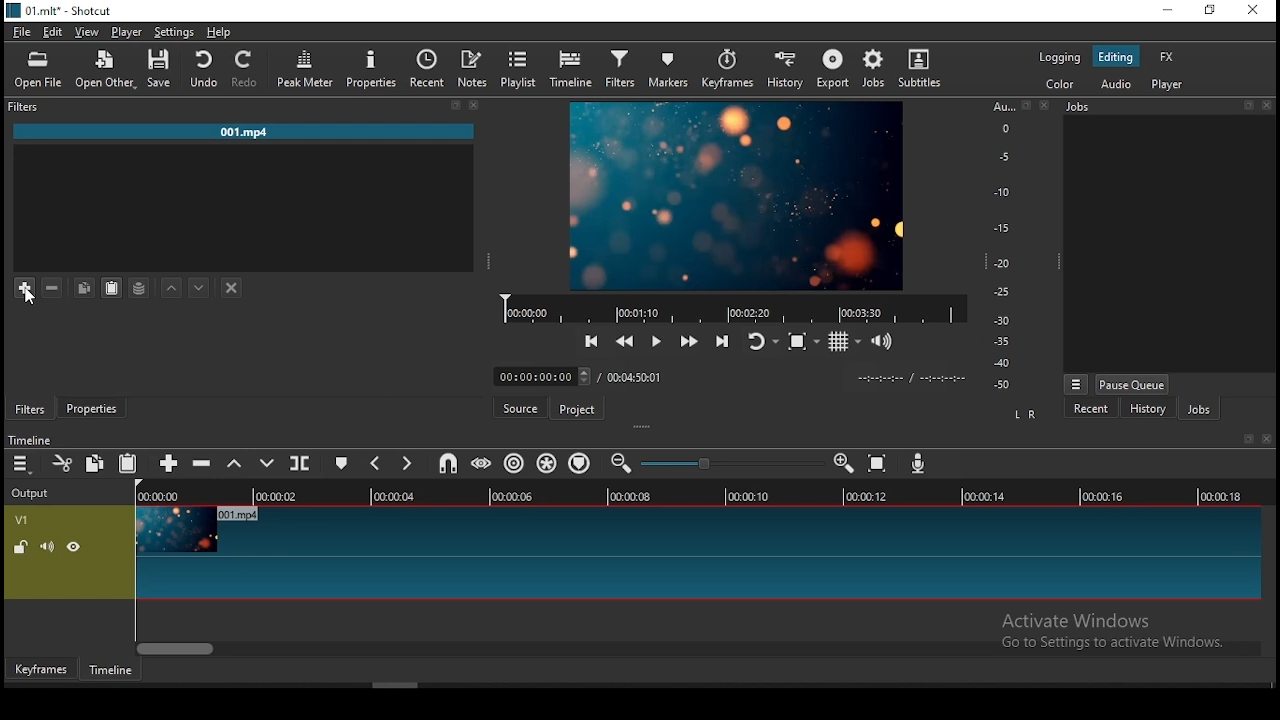  I want to click on editing, so click(1117, 55).